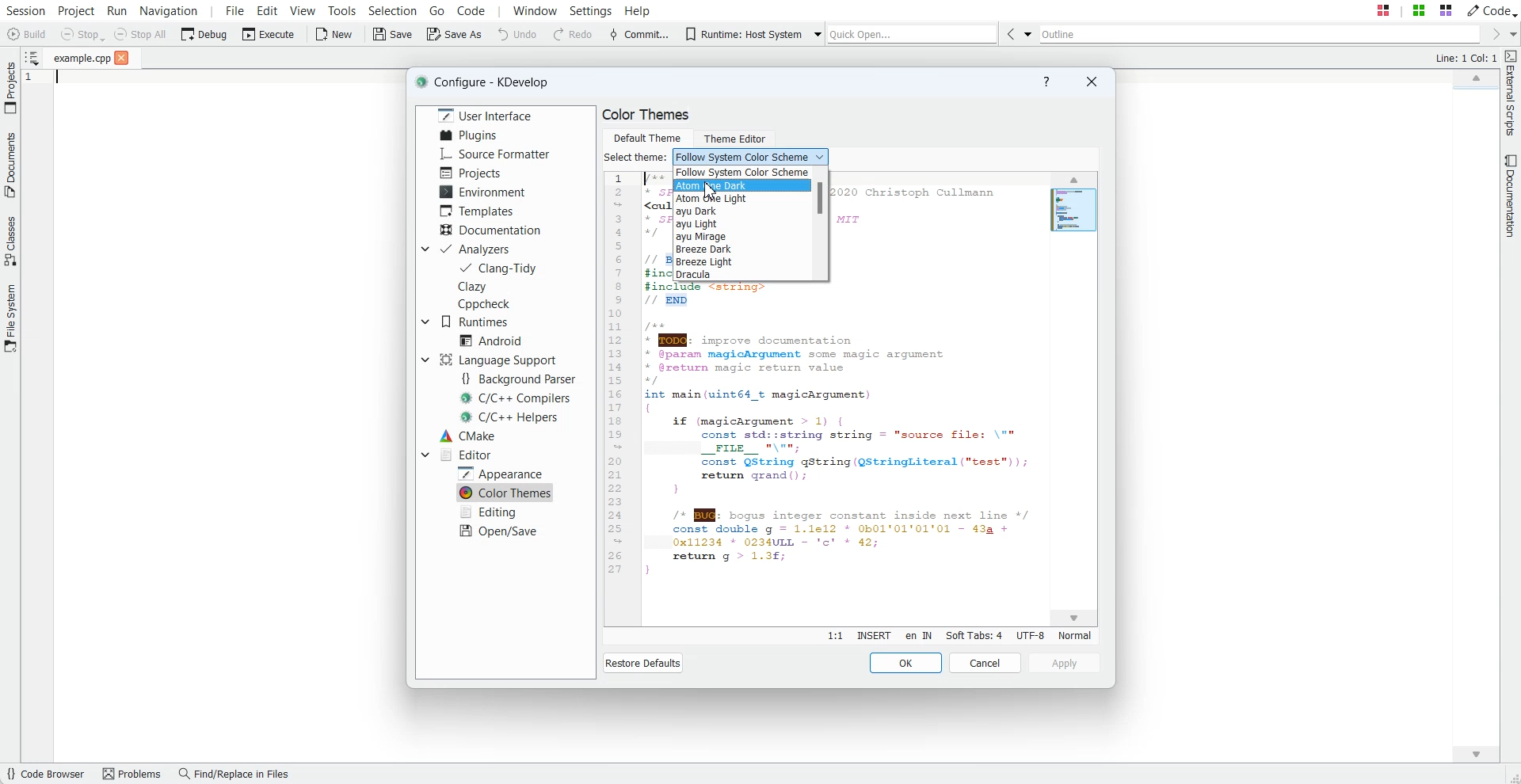  What do you see at coordinates (816, 35) in the screenshot?
I see `Drop down box` at bounding box center [816, 35].